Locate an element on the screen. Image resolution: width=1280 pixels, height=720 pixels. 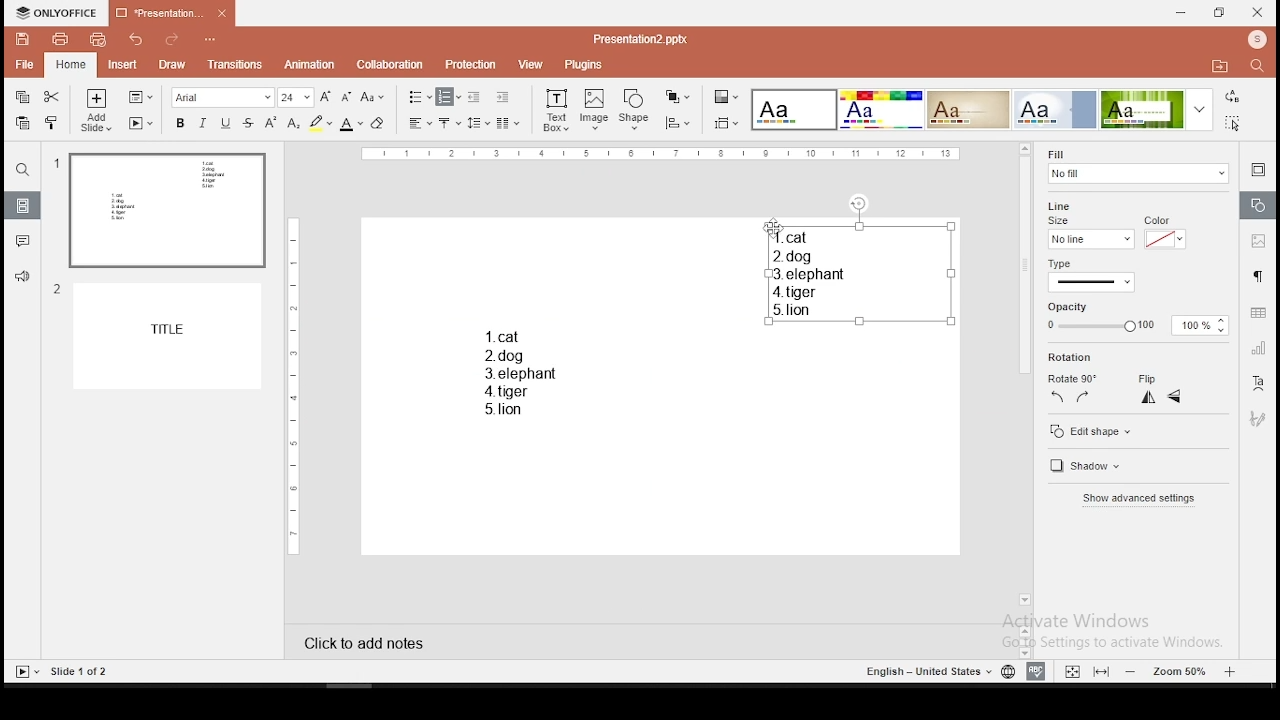
text box is located at coordinates (555, 111).